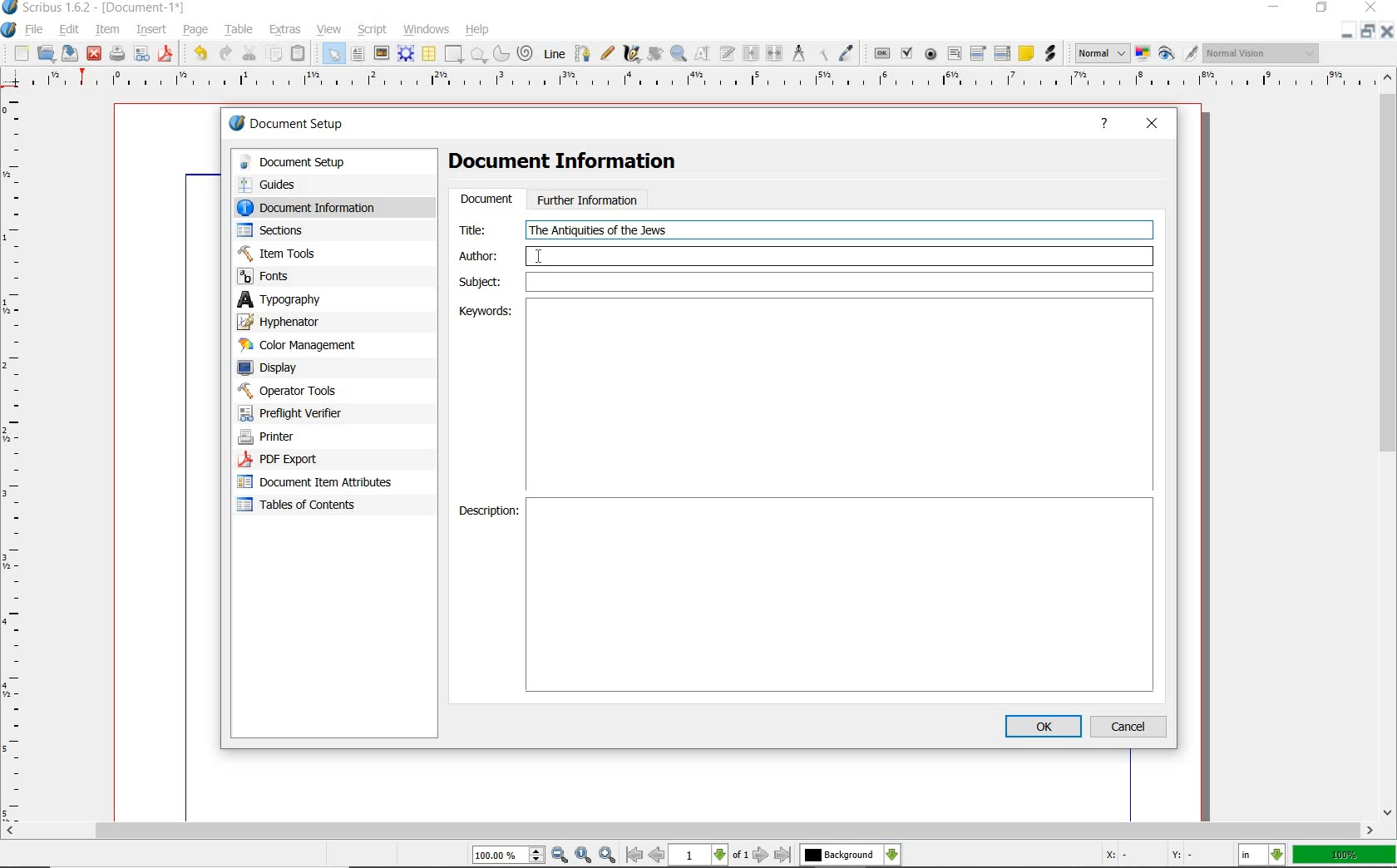 This screenshot has height=868, width=1397. Describe the element at coordinates (501, 53) in the screenshot. I see `arc` at that location.